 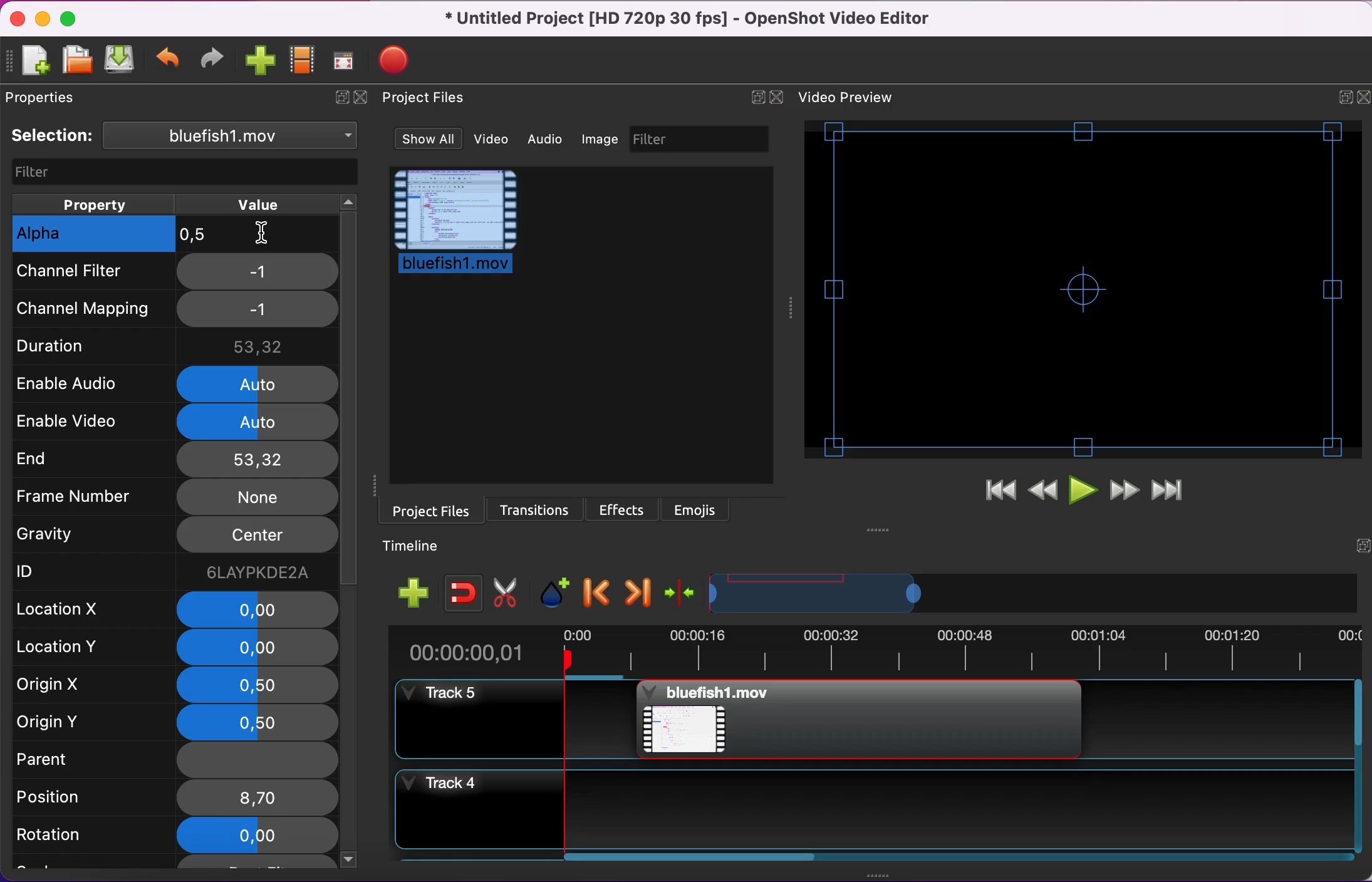 What do you see at coordinates (256, 497) in the screenshot?
I see `none` at bounding box center [256, 497].